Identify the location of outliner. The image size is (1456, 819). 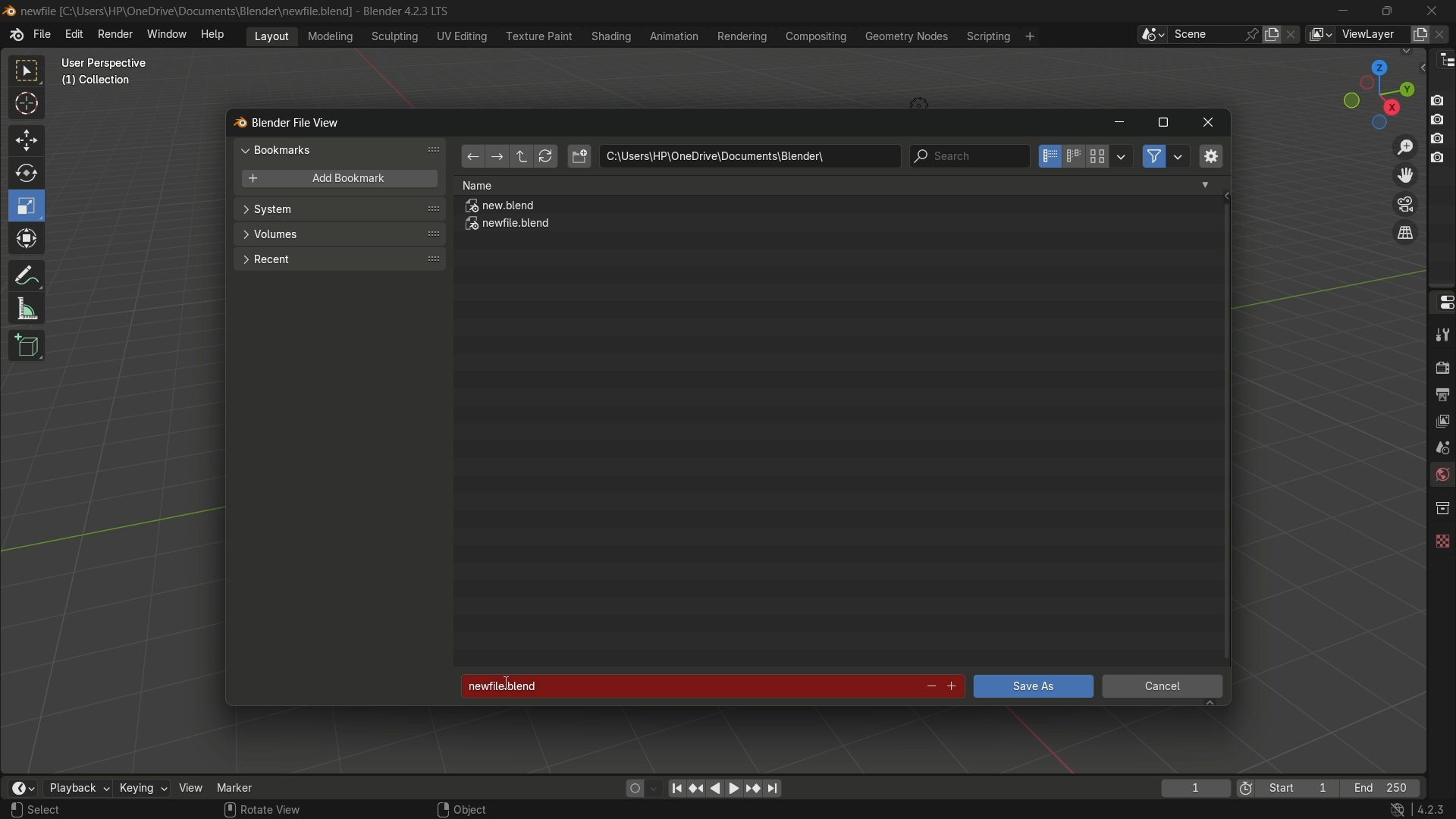
(1442, 59).